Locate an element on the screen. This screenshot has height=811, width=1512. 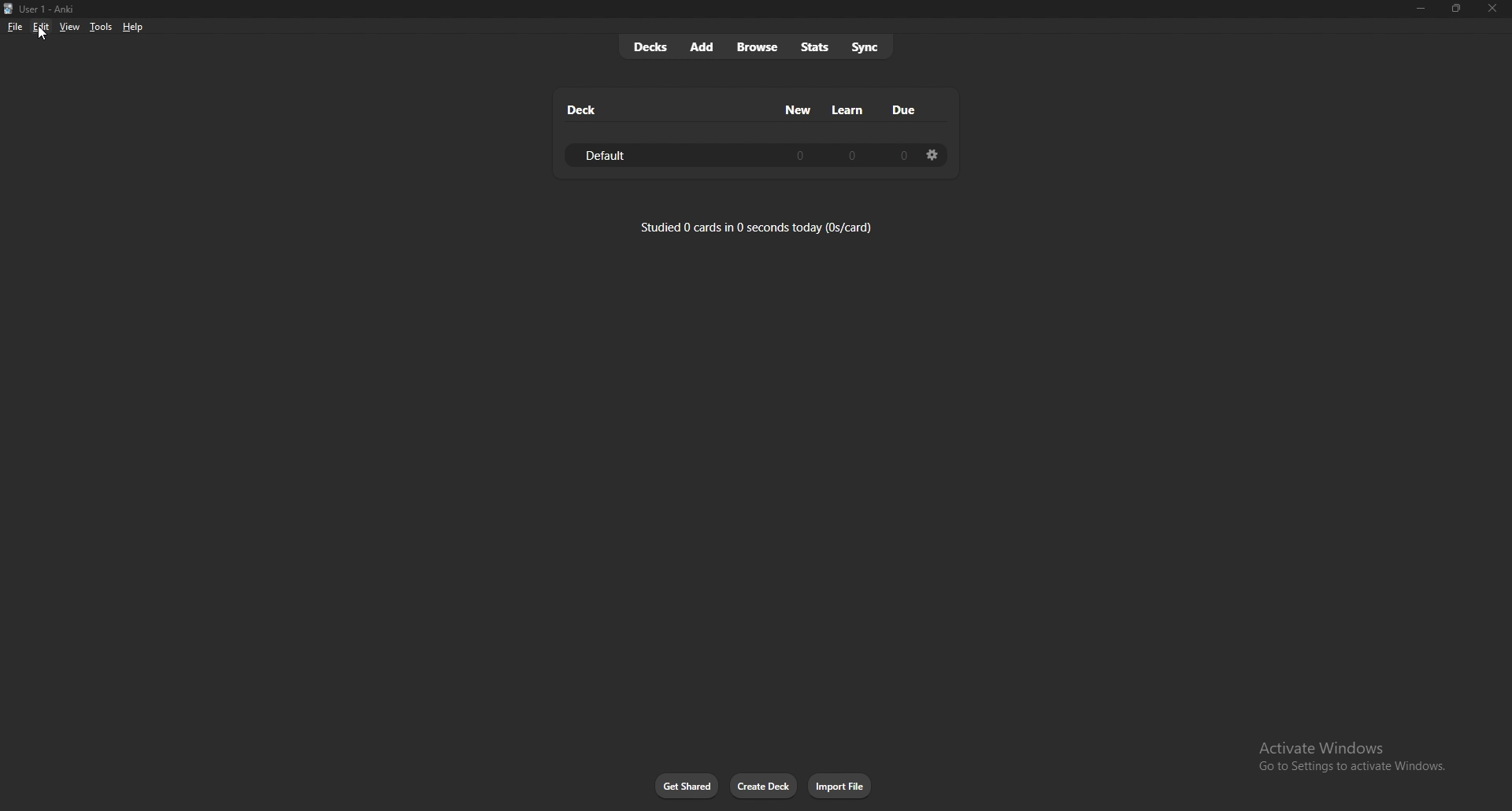
default is located at coordinates (626, 155).